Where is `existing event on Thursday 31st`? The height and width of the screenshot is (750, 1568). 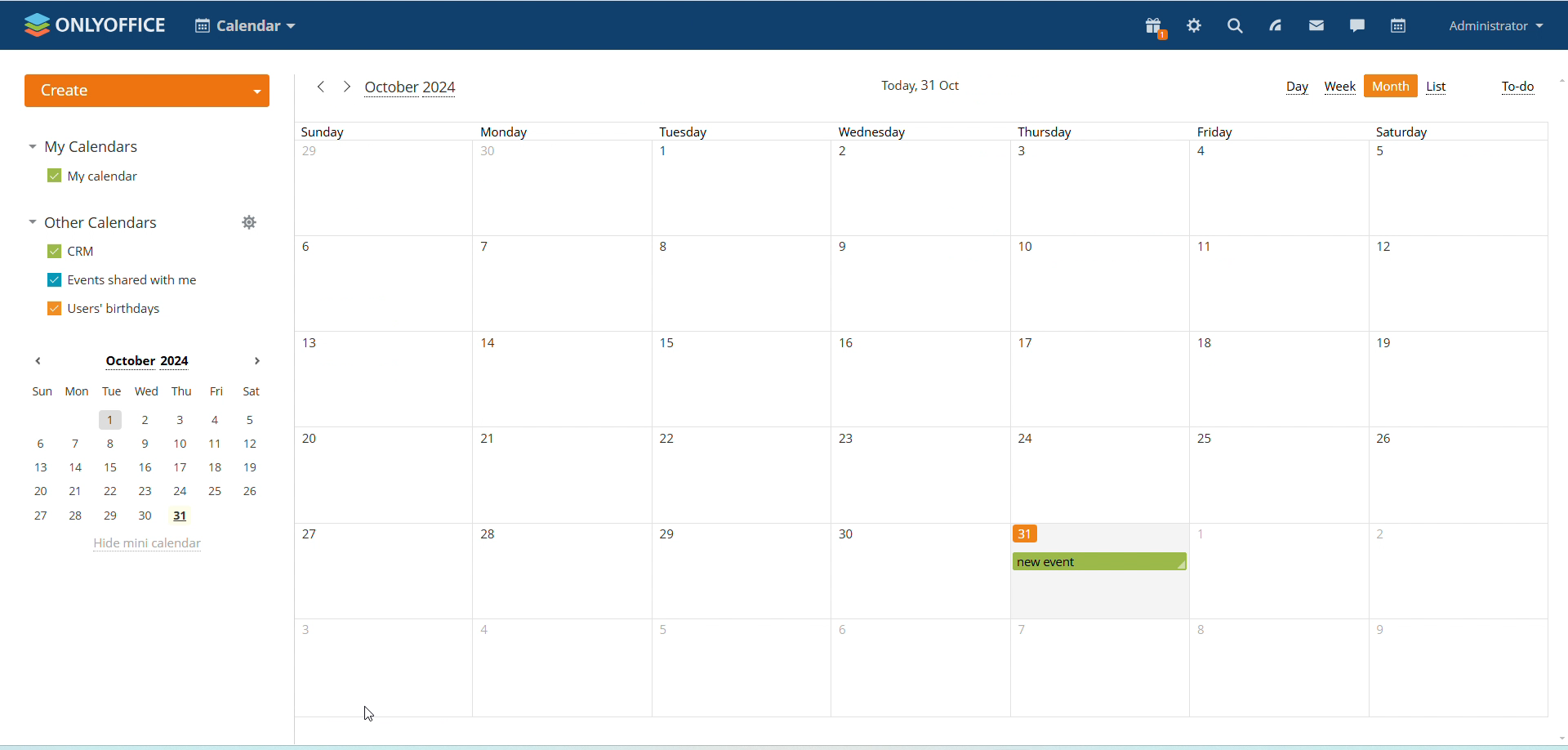 existing event on Thursday 31st is located at coordinates (1097, 560).